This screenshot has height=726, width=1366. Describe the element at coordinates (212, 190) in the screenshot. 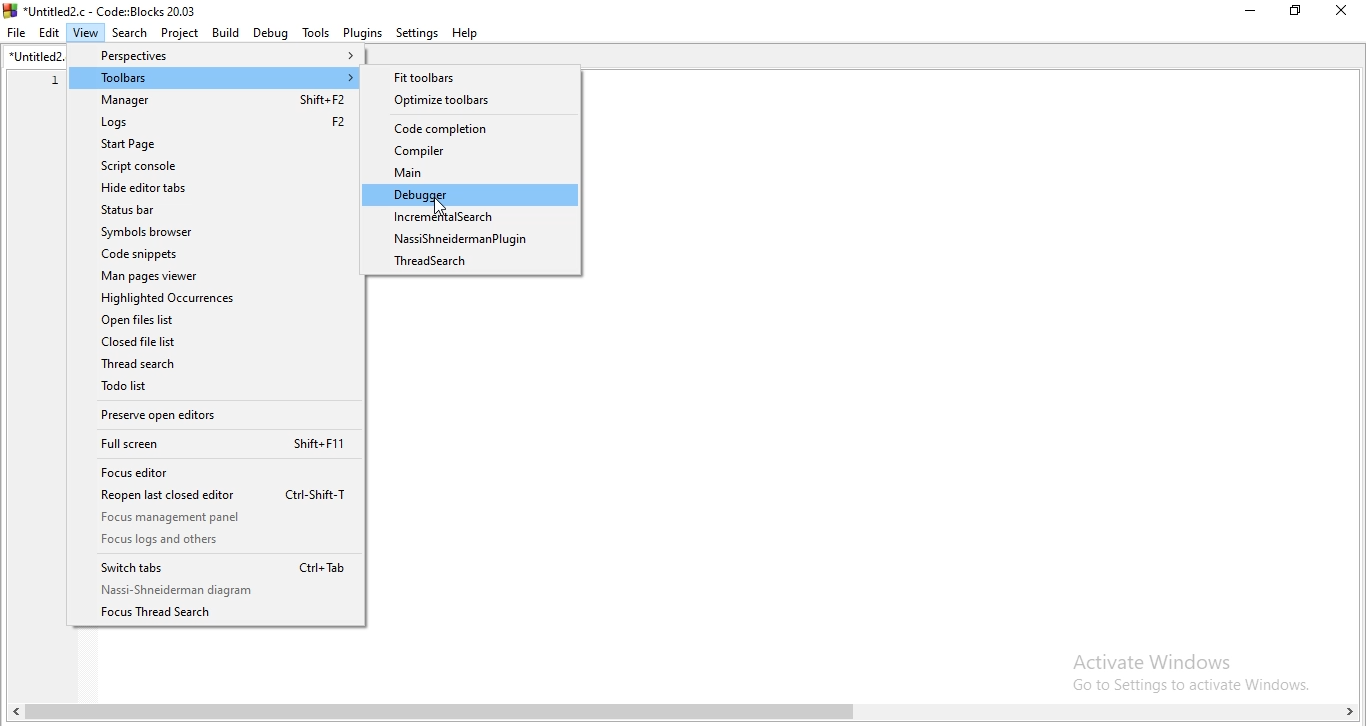

I see `Hide editor tabs` at that location.